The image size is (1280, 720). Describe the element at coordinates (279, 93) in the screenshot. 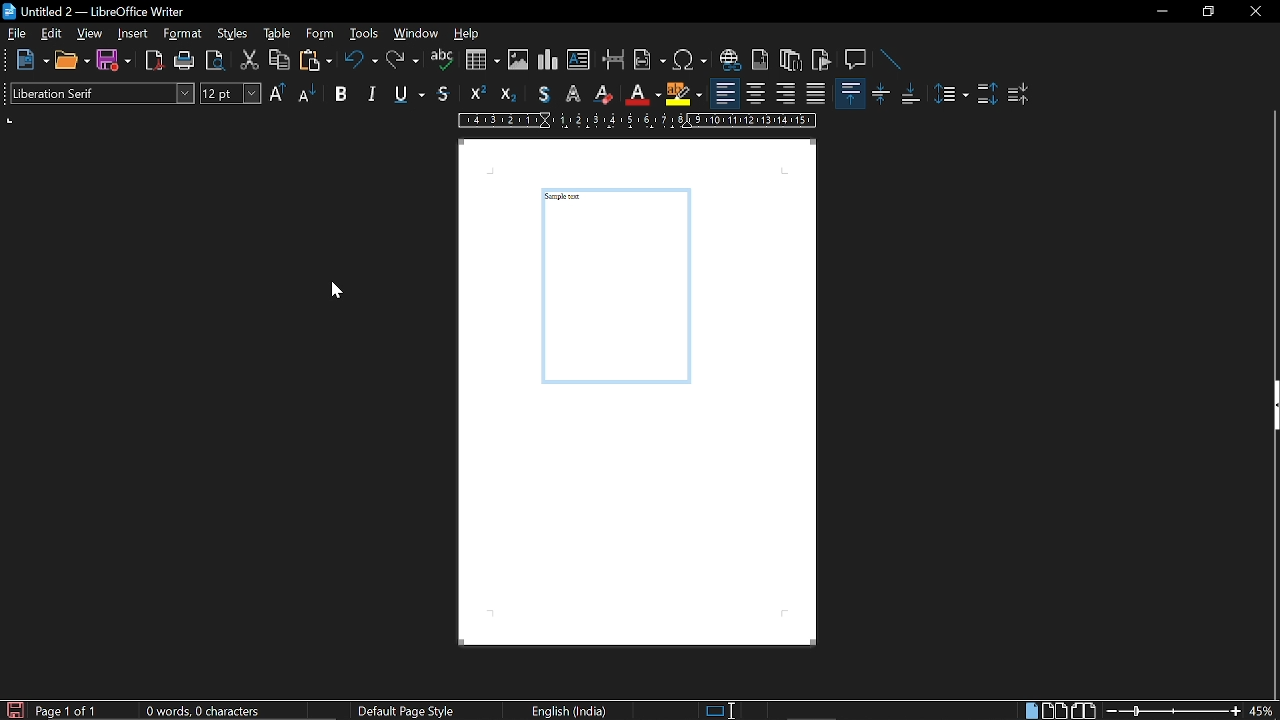

I see `Increase text size` at that location.